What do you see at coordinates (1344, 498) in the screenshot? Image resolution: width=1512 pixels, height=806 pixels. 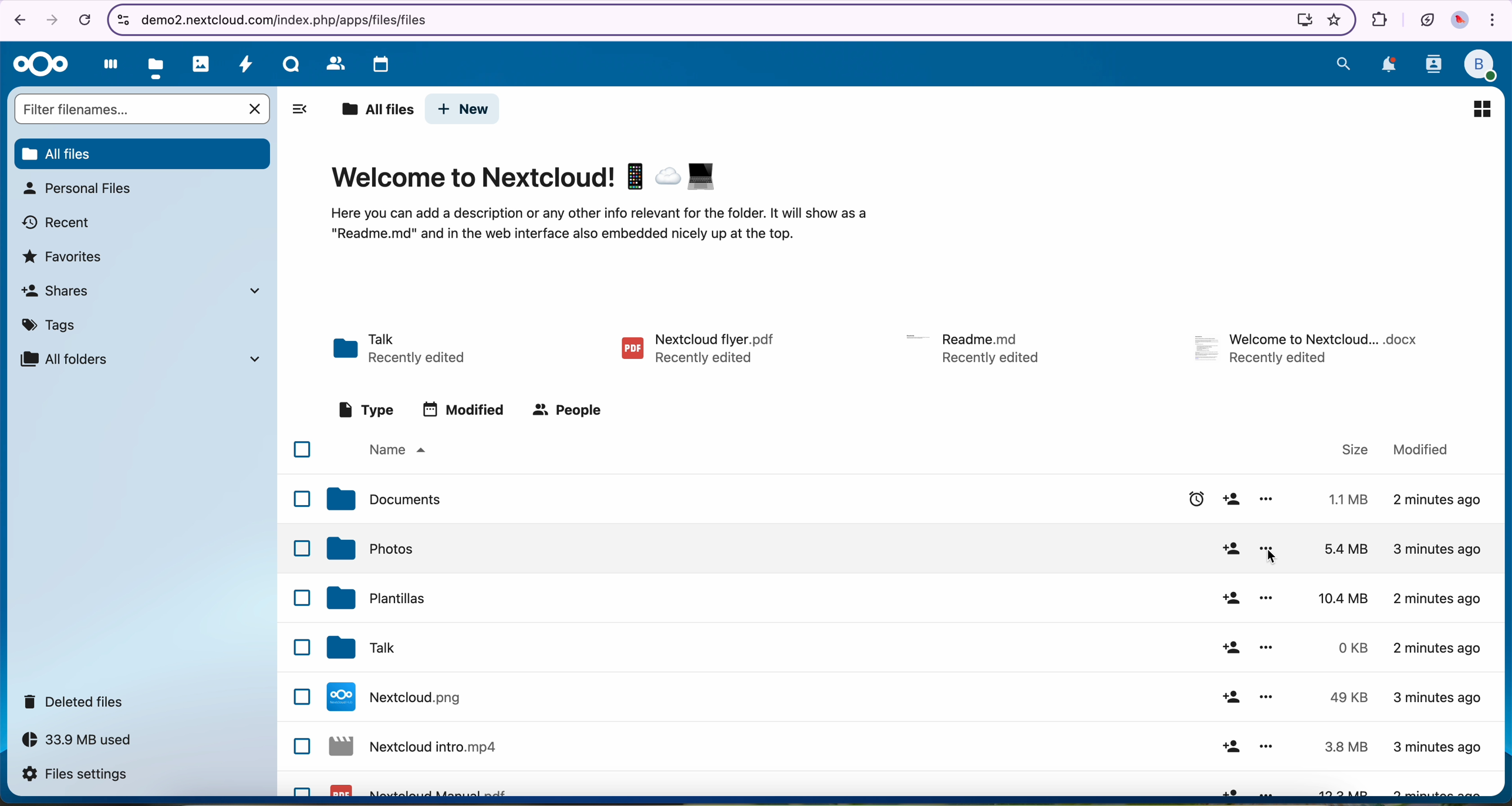 I see `1.1` at bounding box center [1344, 498].